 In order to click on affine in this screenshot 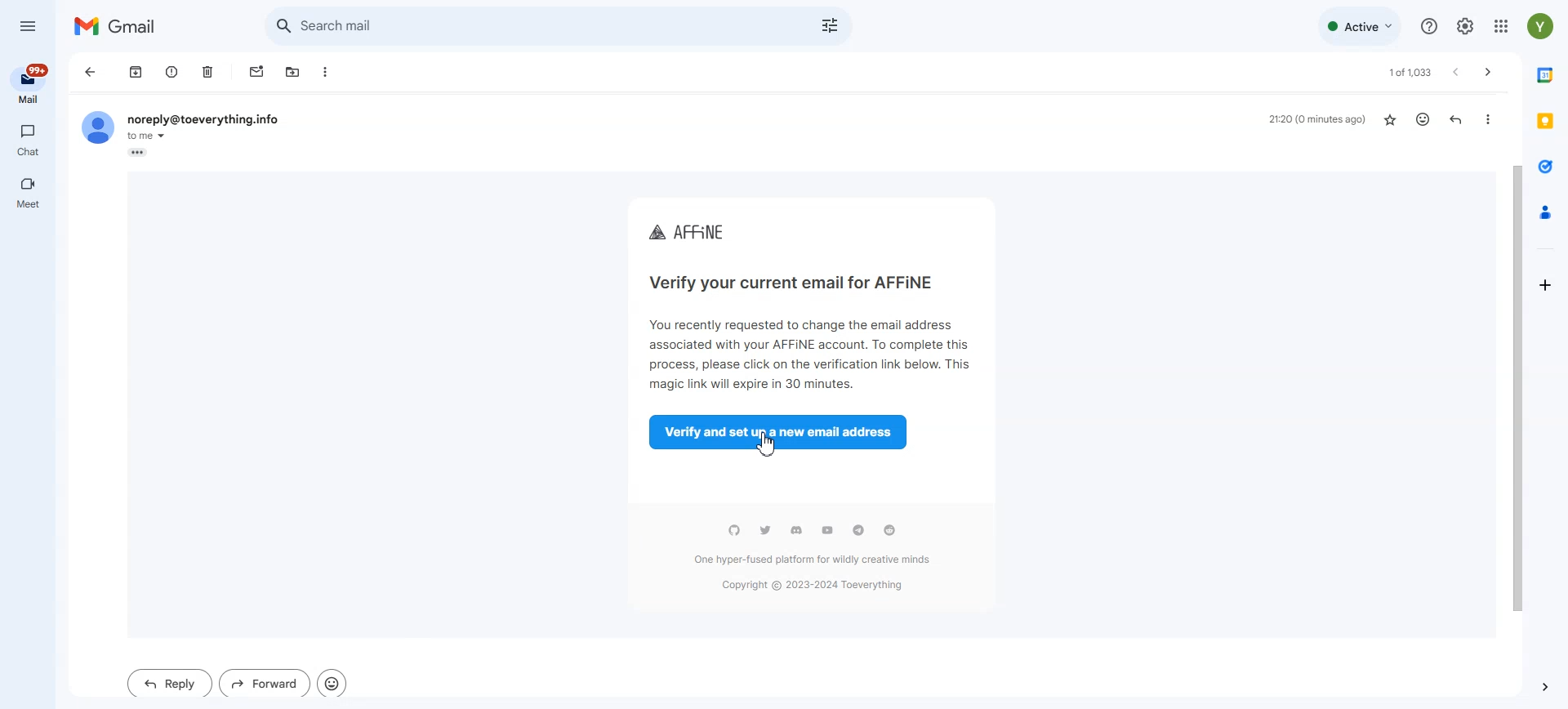, I will do `click(689, 234)`.